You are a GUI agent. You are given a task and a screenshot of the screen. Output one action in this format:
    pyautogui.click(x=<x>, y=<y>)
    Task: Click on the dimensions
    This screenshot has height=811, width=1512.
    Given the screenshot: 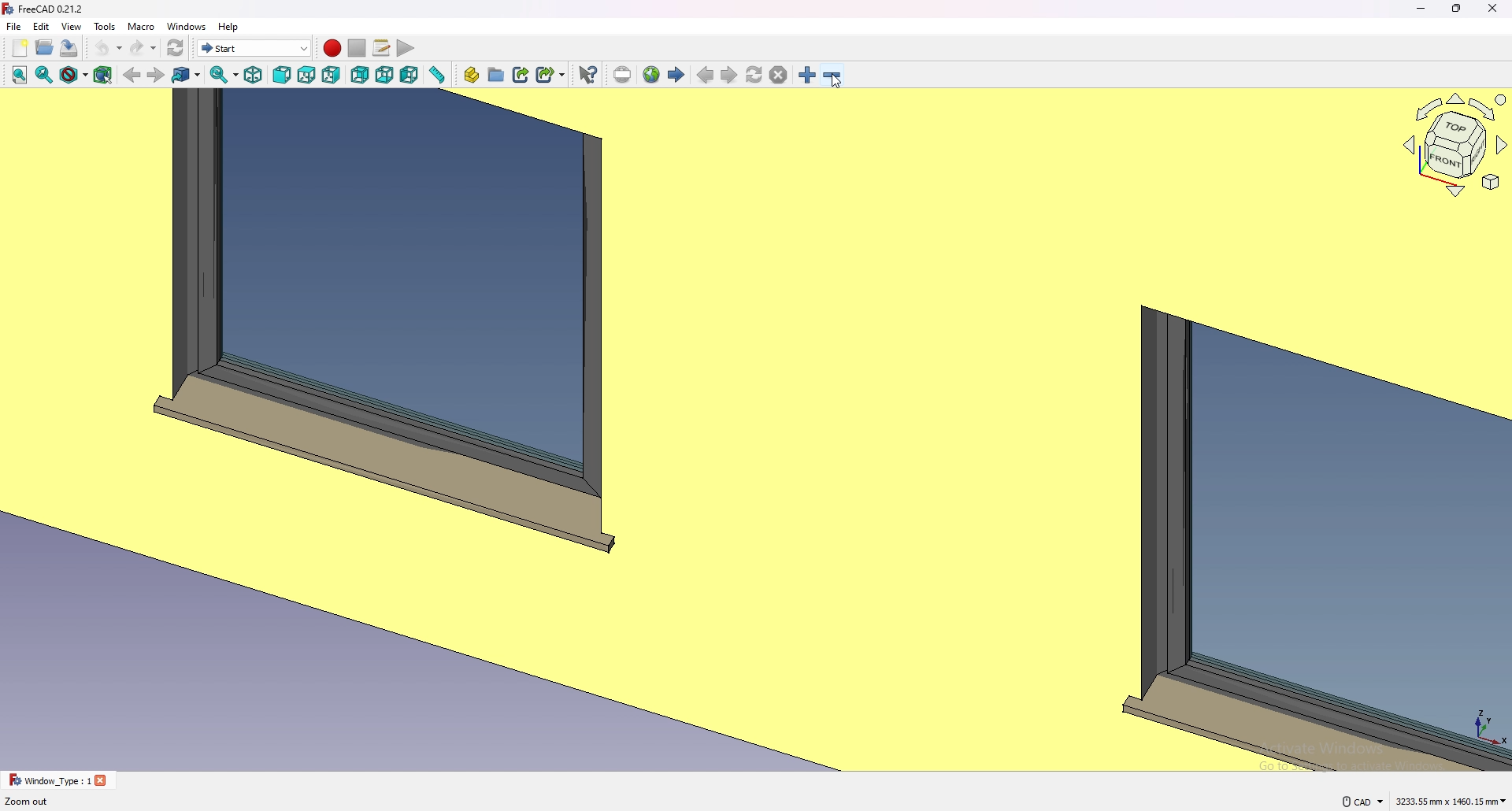 What is the action you would take?
    pyautogui.click(x=1452, y=800)
    